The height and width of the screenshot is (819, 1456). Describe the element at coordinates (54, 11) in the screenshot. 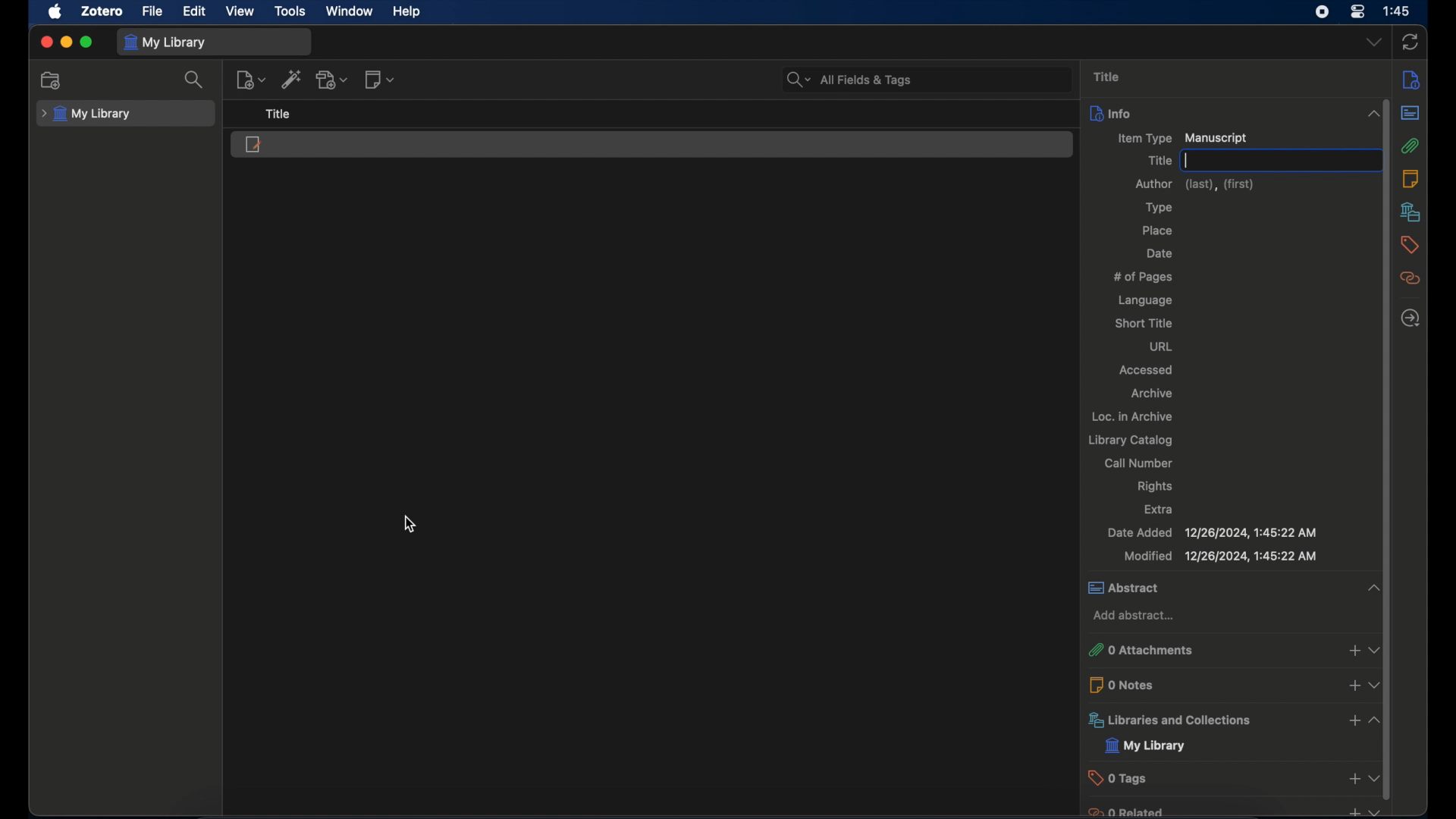

I see `apple` at that location.